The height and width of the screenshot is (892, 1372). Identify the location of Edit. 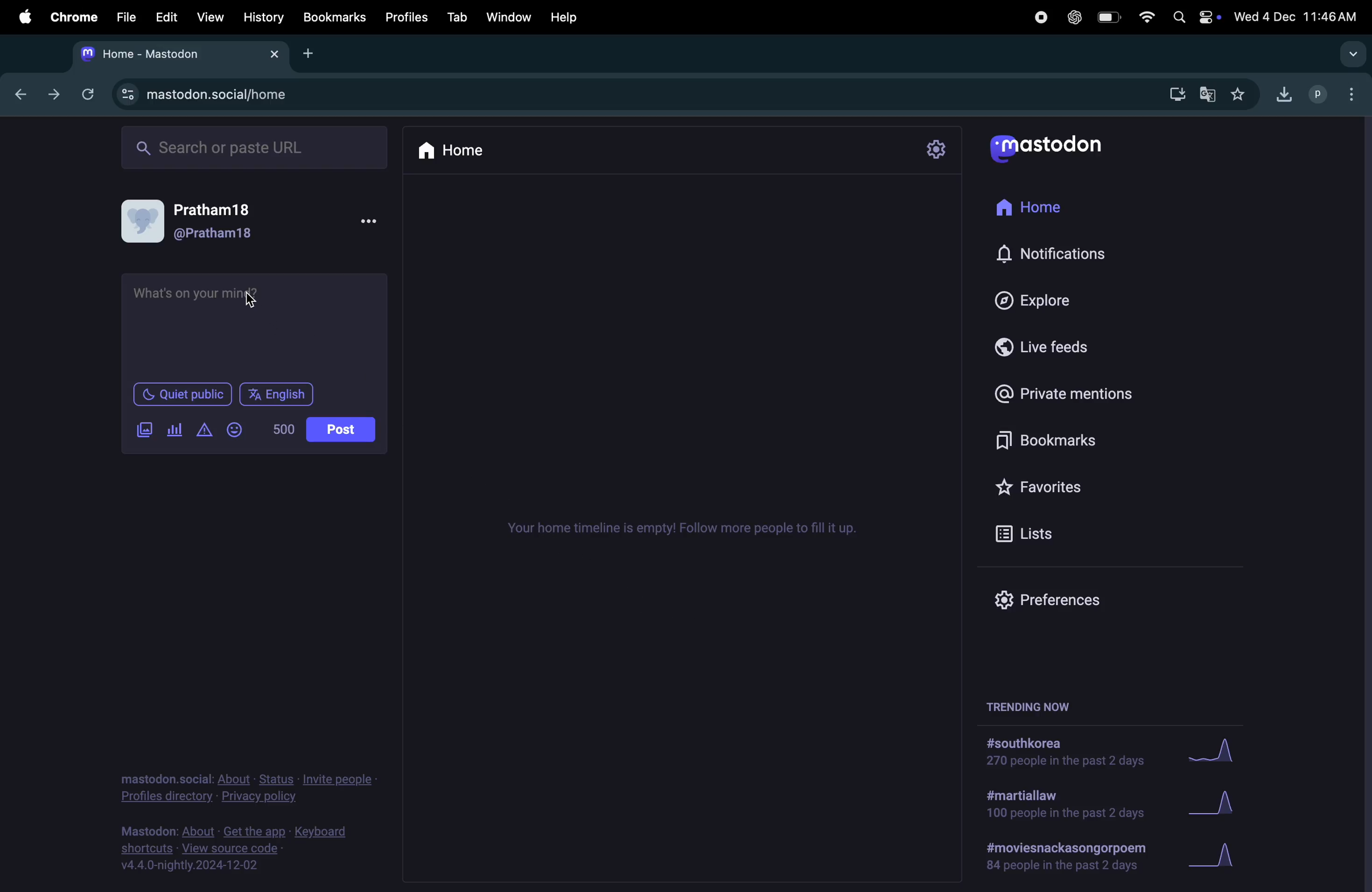
(164, 18).